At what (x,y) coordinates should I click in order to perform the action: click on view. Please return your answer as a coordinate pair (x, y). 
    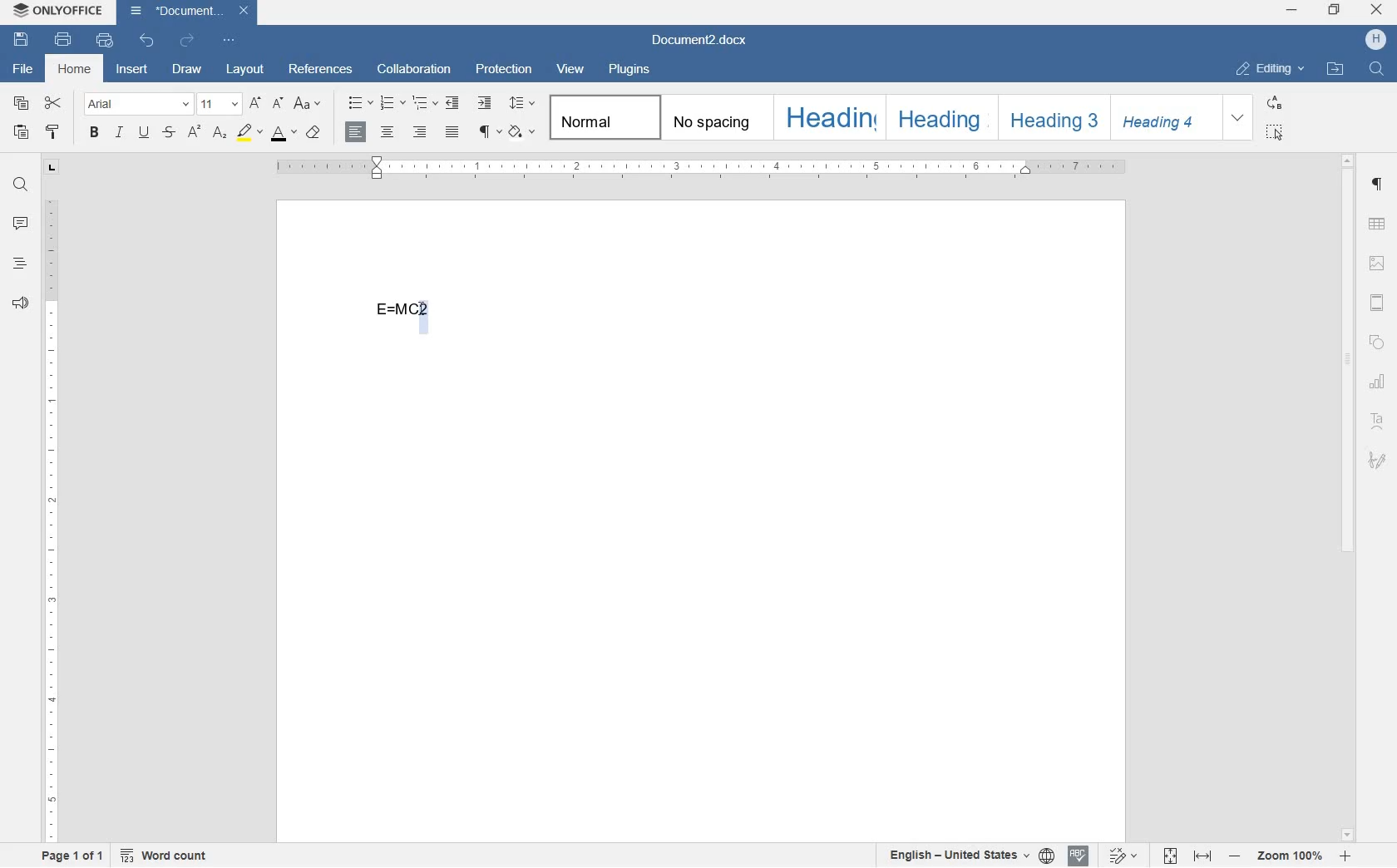
    Looking at the image, I should click on (573, 69).